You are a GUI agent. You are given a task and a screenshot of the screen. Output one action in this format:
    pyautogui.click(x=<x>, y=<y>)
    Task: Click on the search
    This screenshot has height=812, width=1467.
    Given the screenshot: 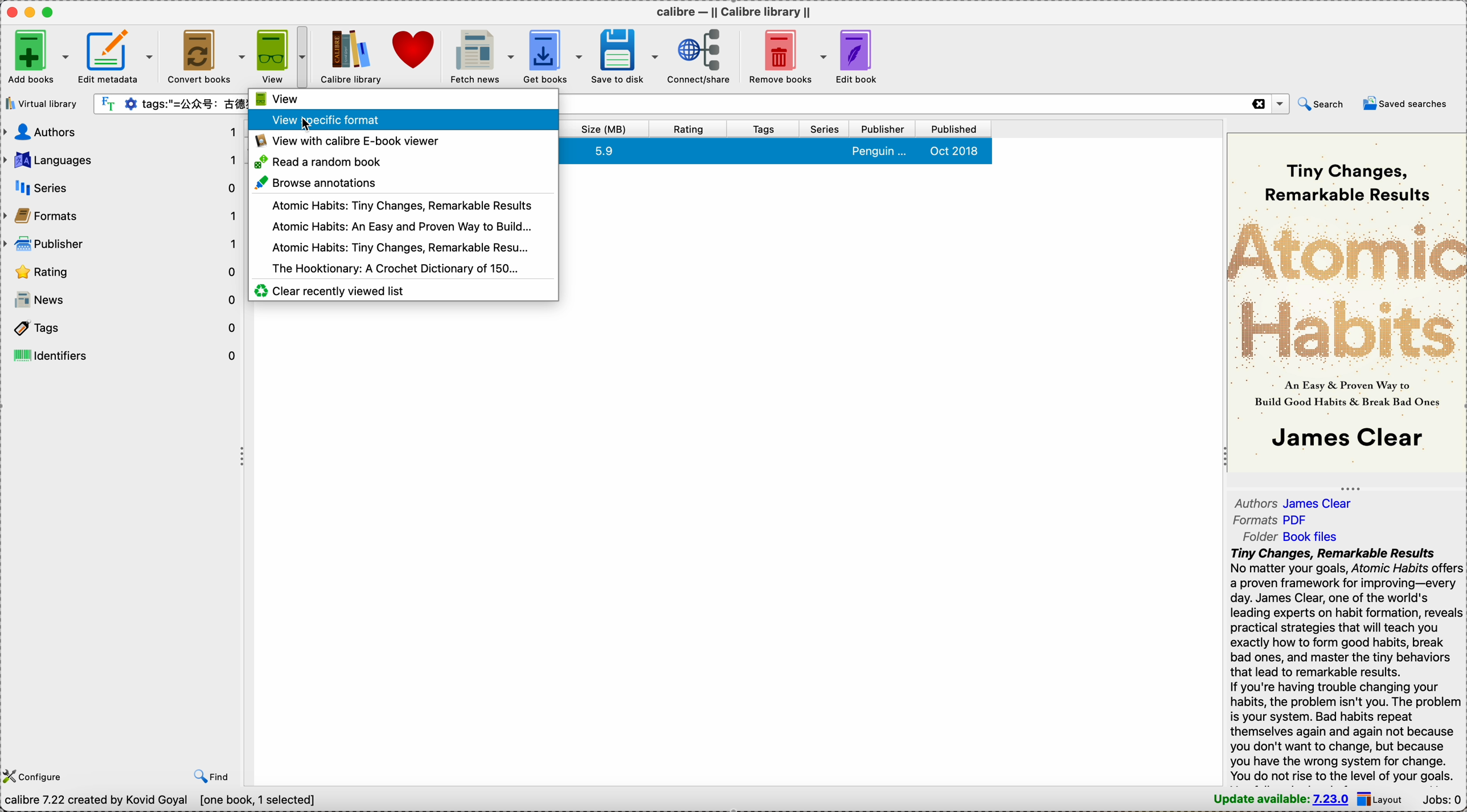 What is the action you would take?
    pyautogui.click(x=1321, y=104)
    